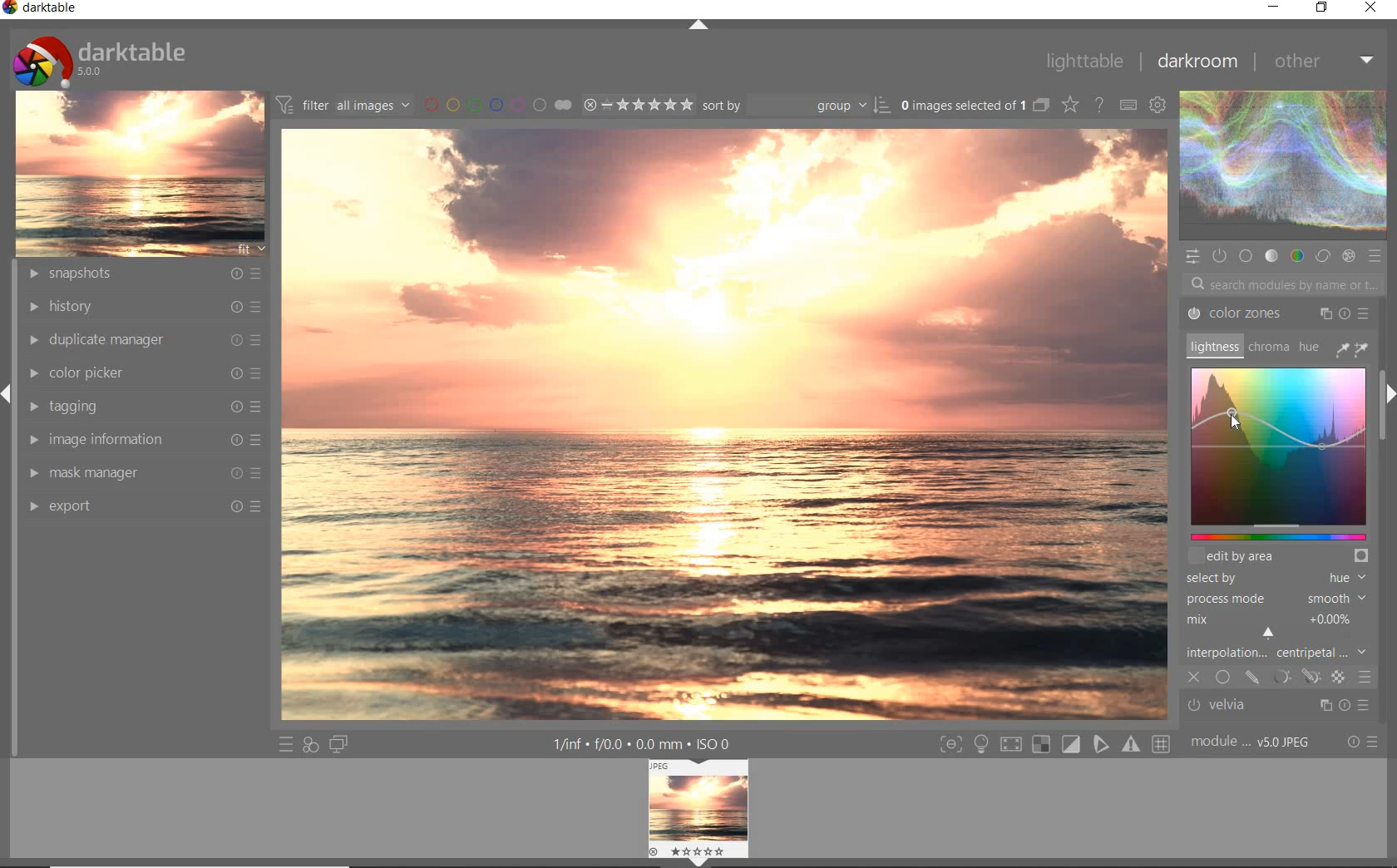 The width and height of the screenshot is (1397, 868). What do you see at coordinates (725, 426) in the screenshot?
I see `luminance of reds in a sunset INCREASED` at bounding box center [725, 426].